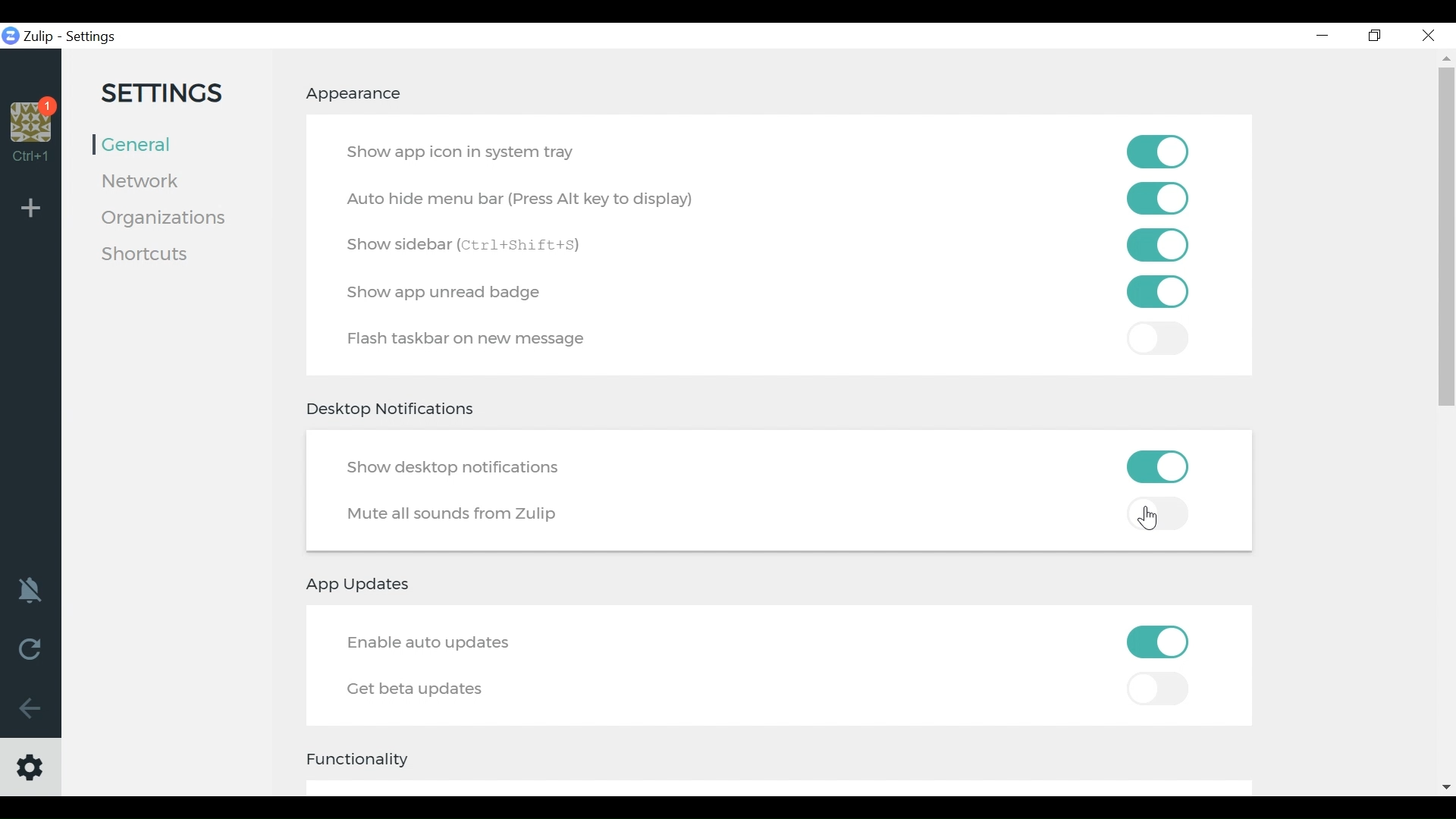 Image resolution: width=1456 pixels, height=819 pixels. Describe the element at coordinates (31, 206) in the screenshot. I see `Add Organisation` at that location.